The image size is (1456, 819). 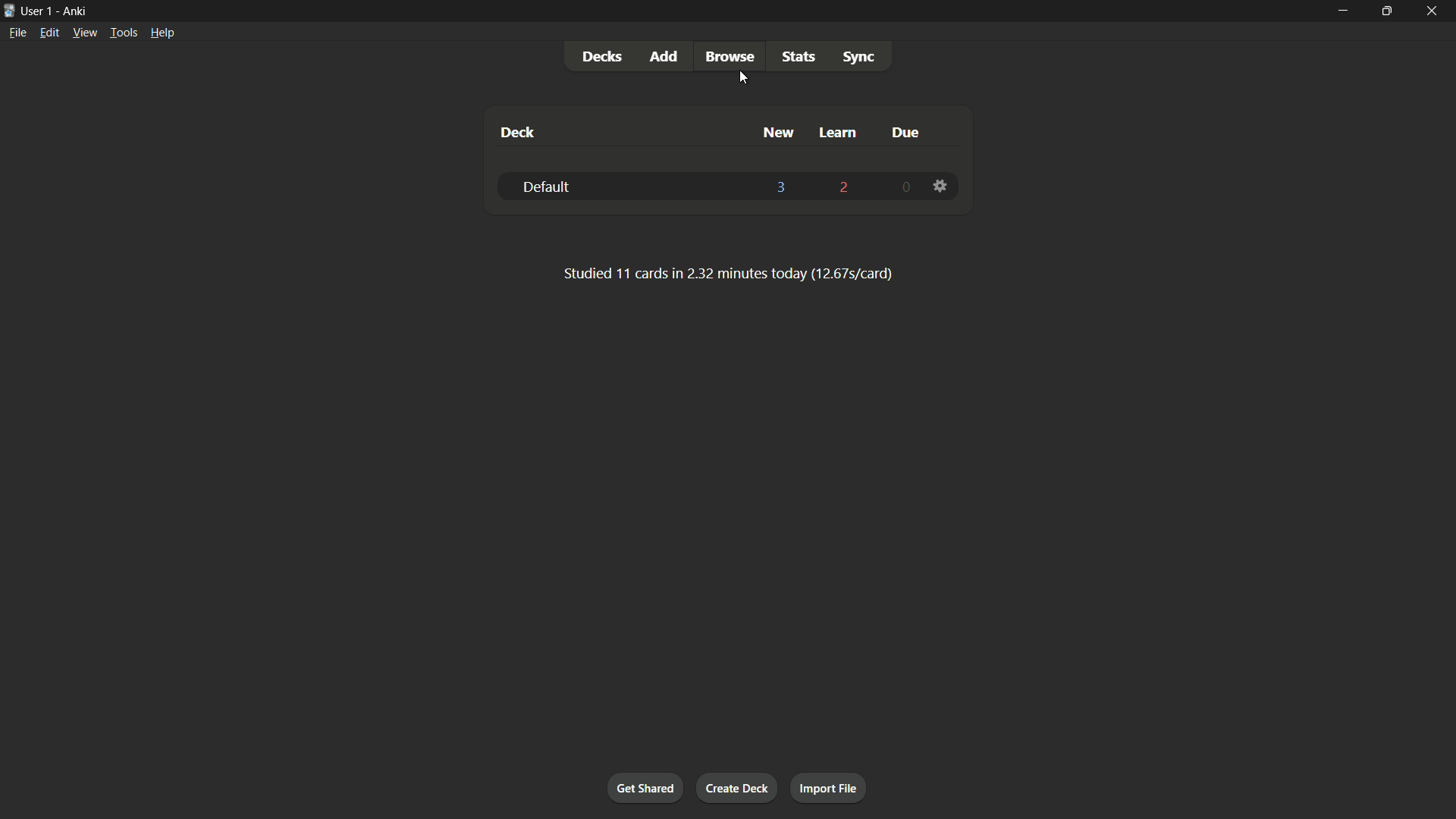 What do you see at coordinates (905, 186) in the screenshot?
I see `0` at bounding box center [905, 186].